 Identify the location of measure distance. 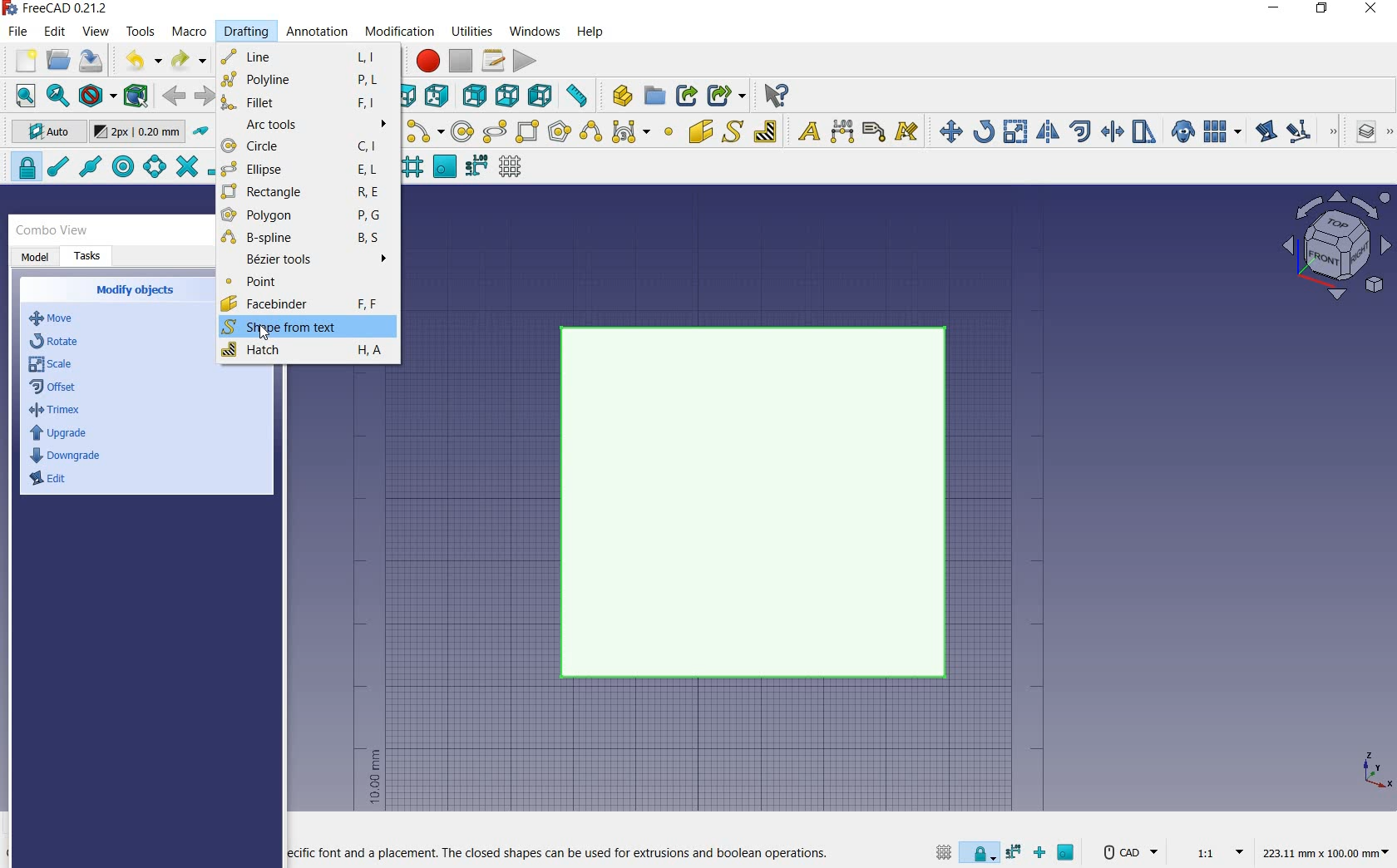
(579, 96).